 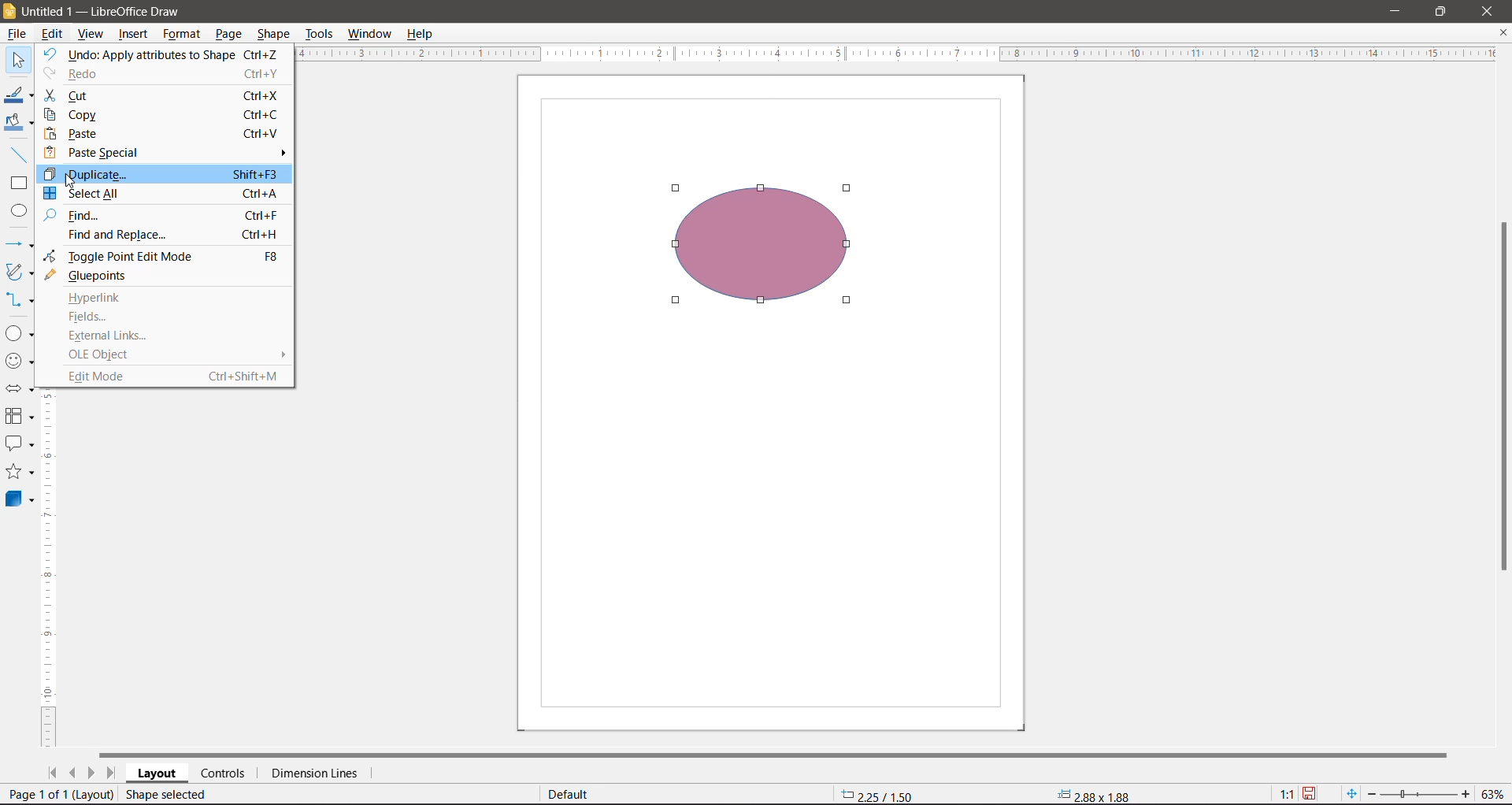 I want to click on Undo: Apply attributes to Shape, so click(x=163, y=54).